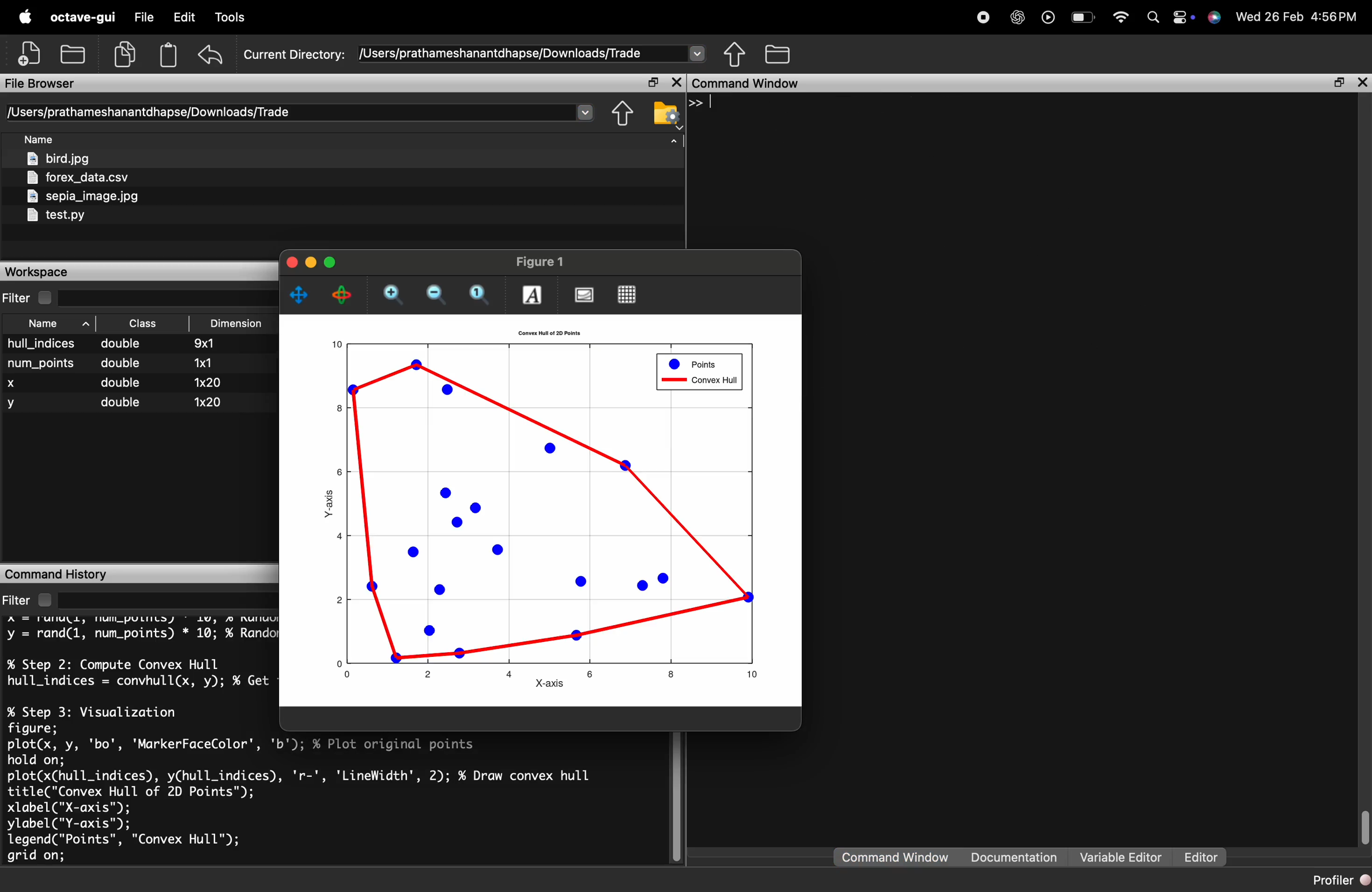  Describe the element at coordinates (1019, 17) in the screenshot. I see `chat gpt` at that location.